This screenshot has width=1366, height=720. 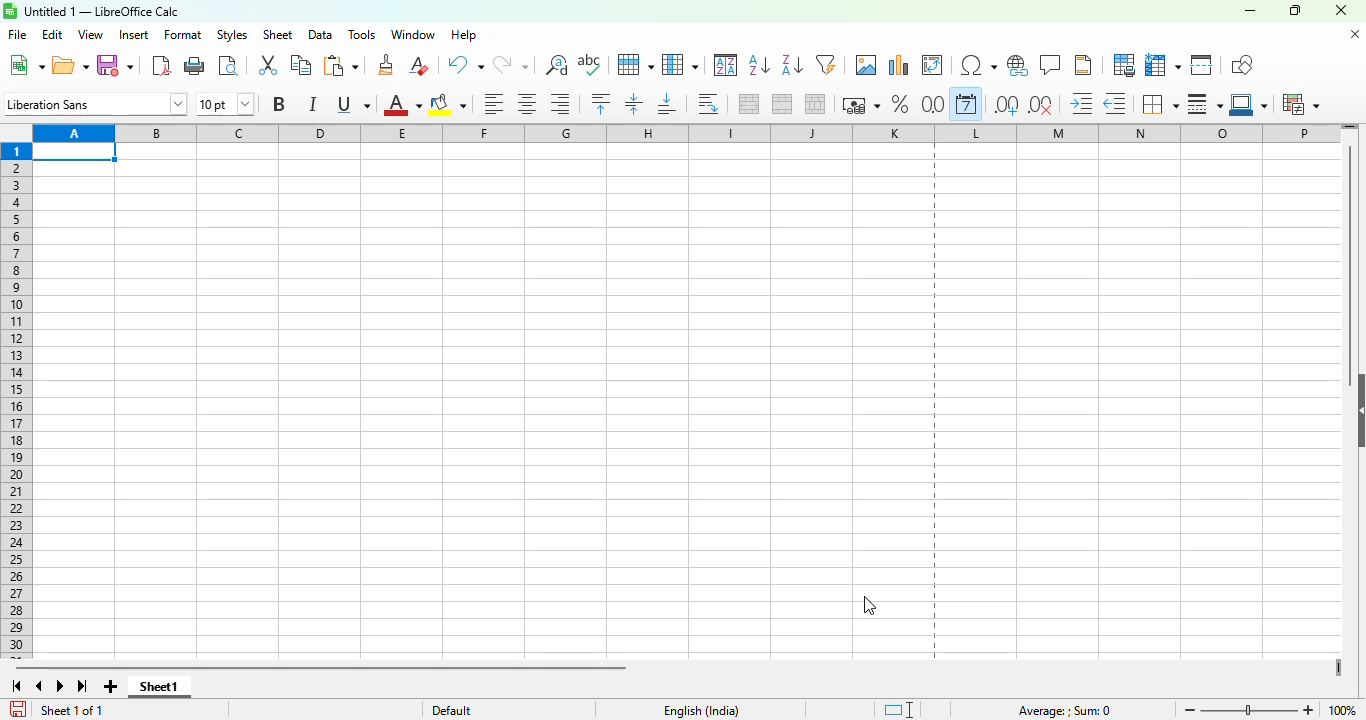 What do you see at coordinates (686, 132) in the screenshot?
I see `columns` at bounding box center [686, 132].